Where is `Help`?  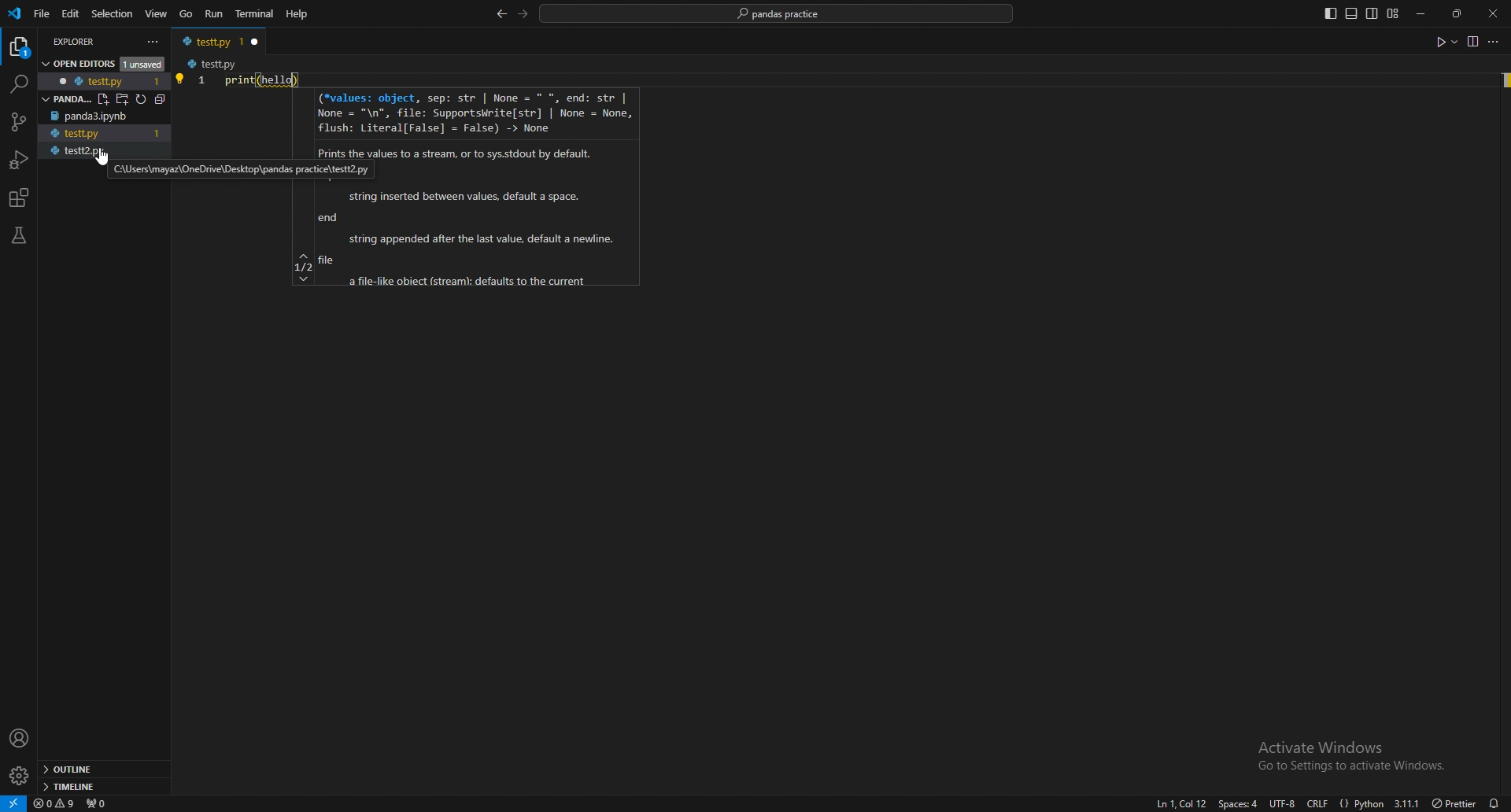 Help is located at coordinates (296, 14).